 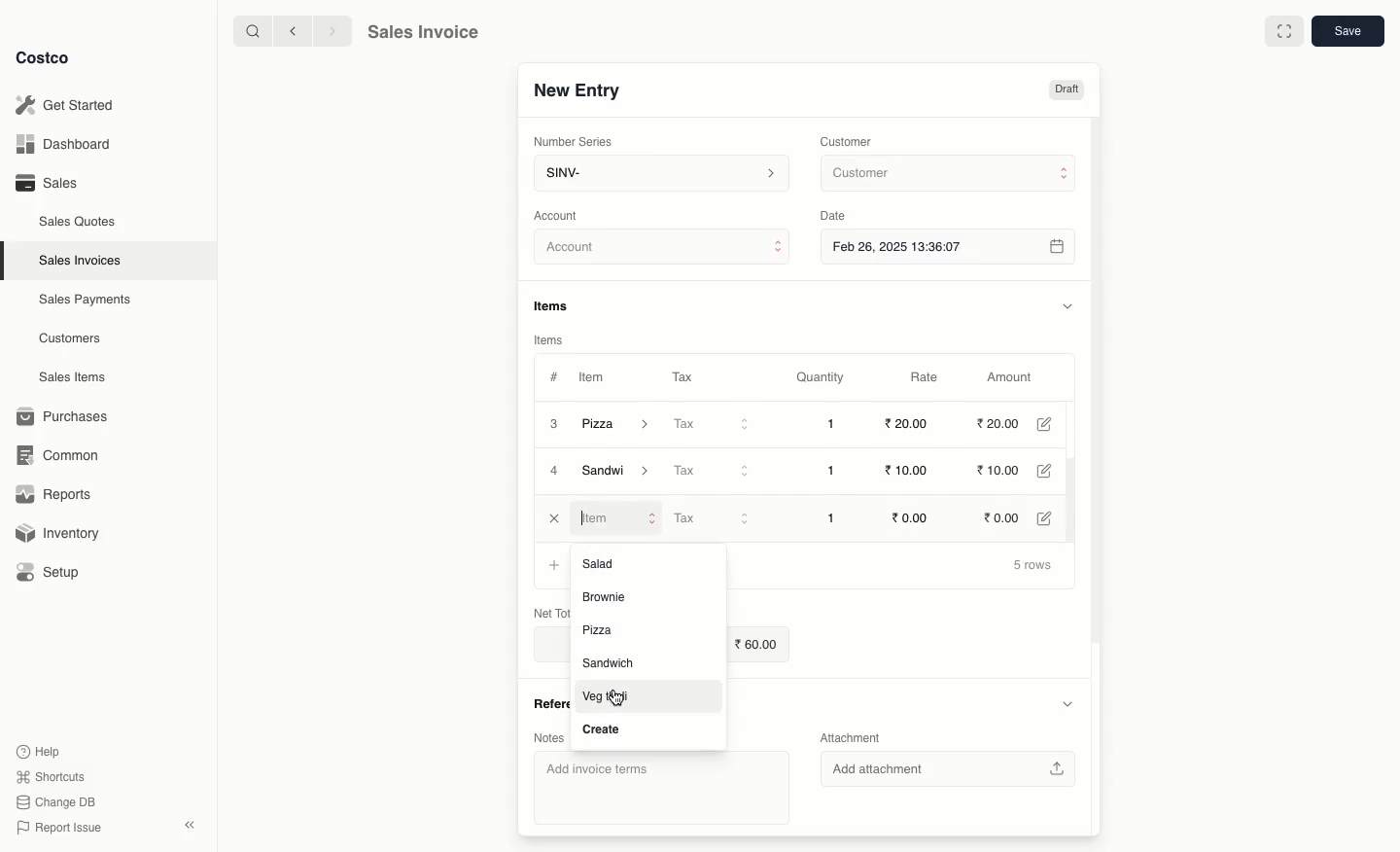 What do you see at coordinates (612, 695) in the screenshot?
I see `Veg thall` at bounding box center [612, 695].